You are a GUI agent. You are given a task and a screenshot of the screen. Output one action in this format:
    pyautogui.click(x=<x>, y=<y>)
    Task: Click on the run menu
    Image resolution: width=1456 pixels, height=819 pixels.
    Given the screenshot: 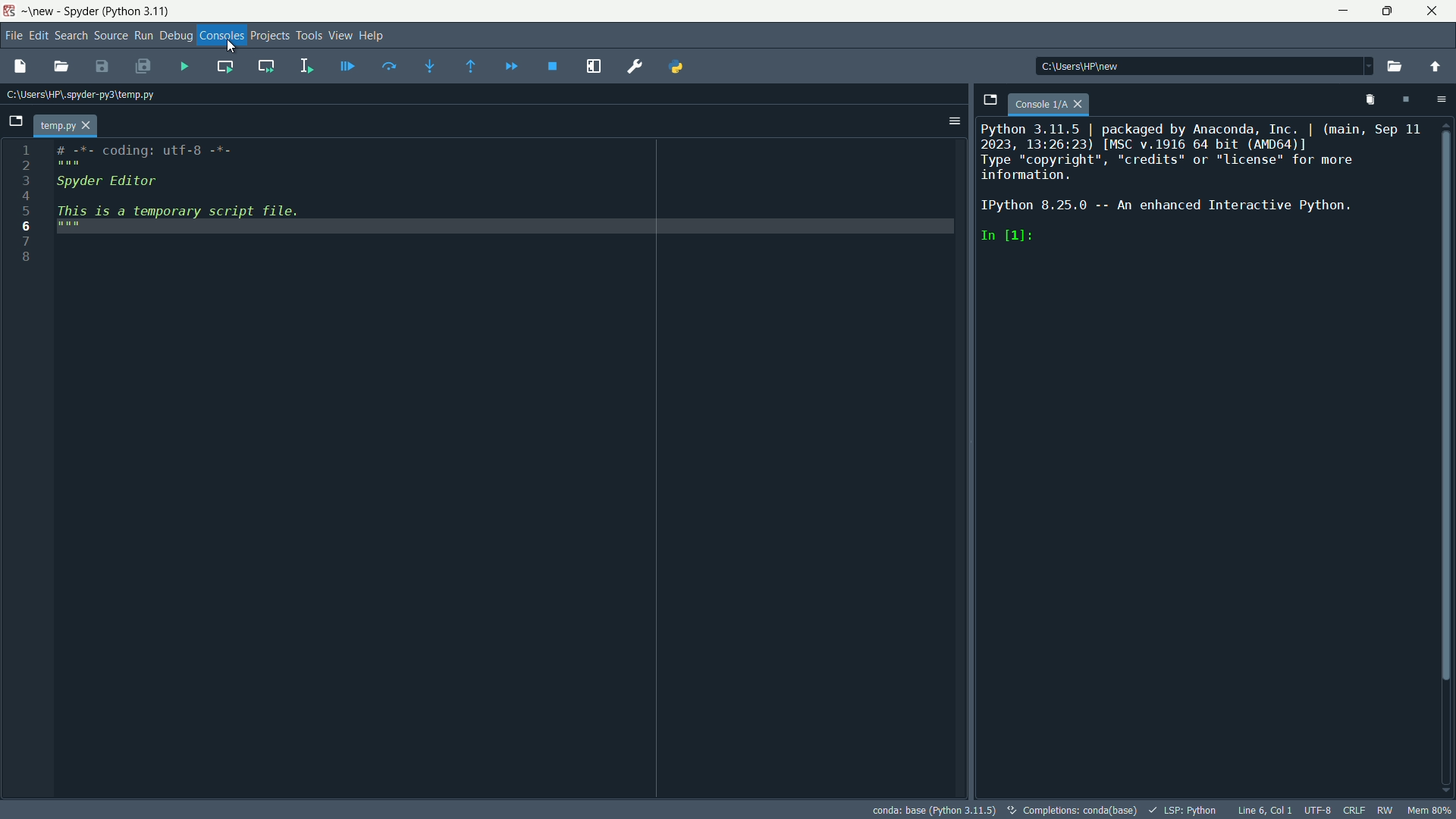 What is the action you would take?
    pyautogui.click(x=143, y=35)
    